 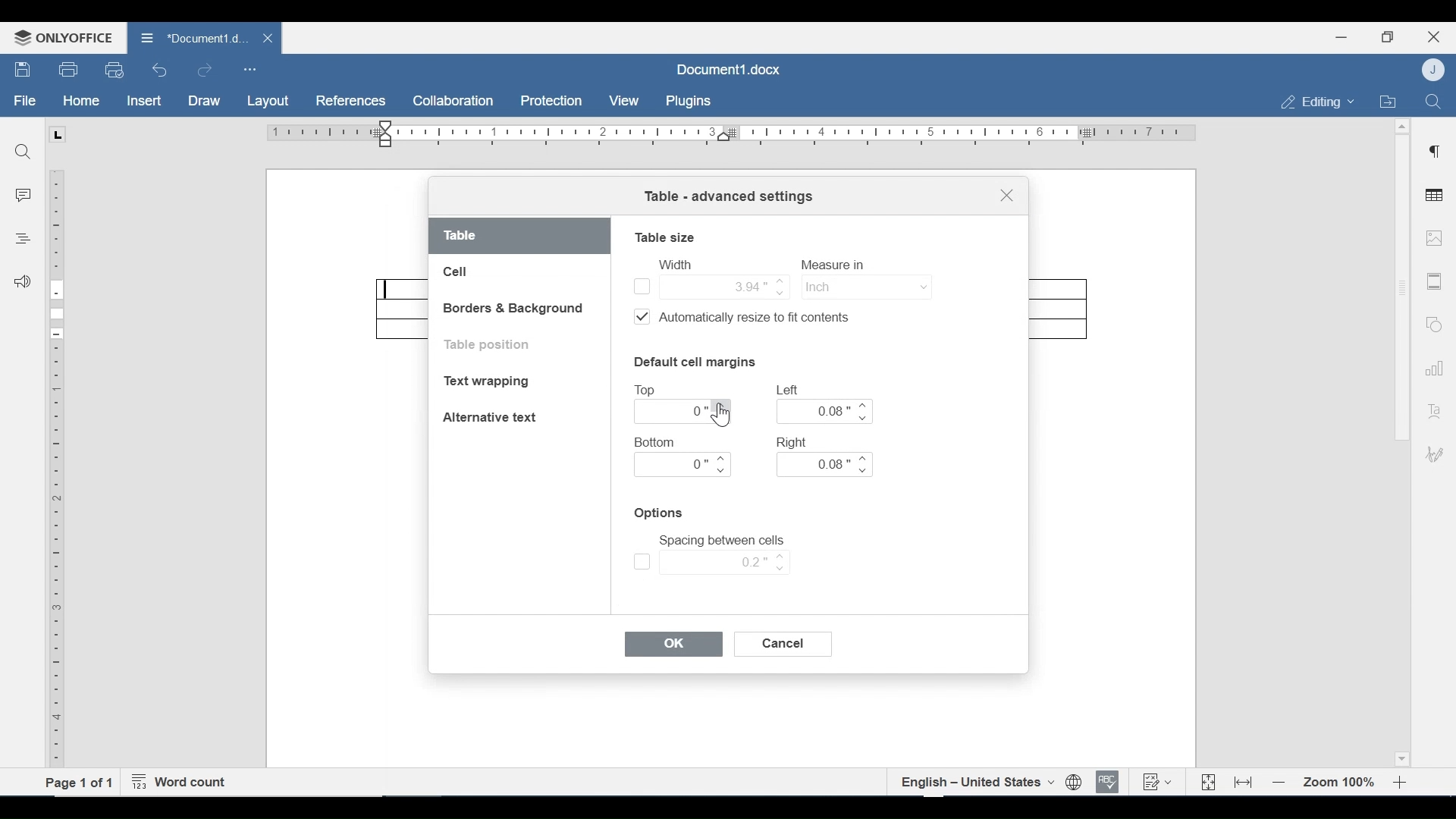 What do you see at coordinates (515, 309) in the screenshot?
I see `Borders & Background` at bounding box center [515, 309].